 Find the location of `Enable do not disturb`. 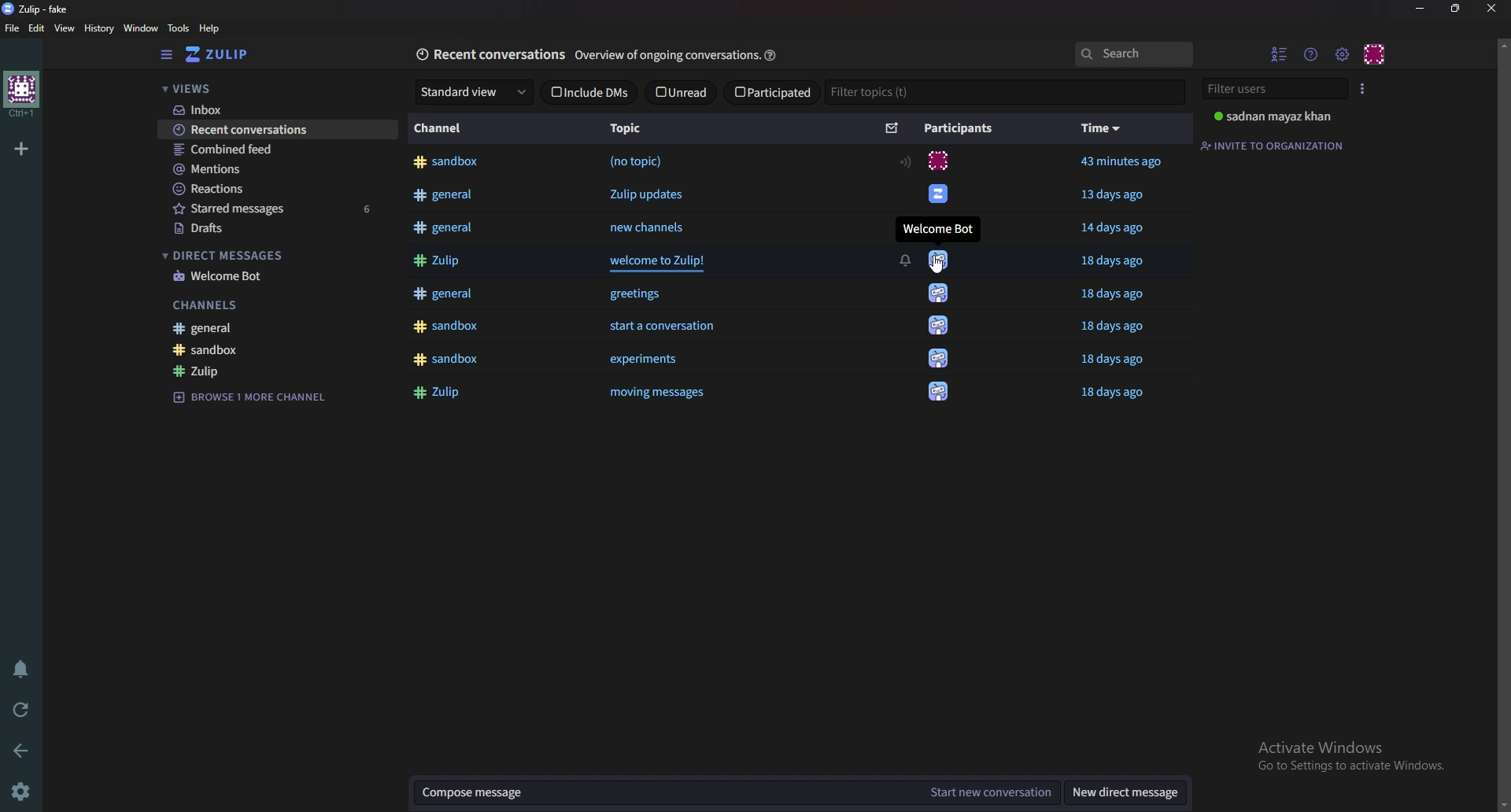

Enable do not disturb is located at coordinates (20, 668).